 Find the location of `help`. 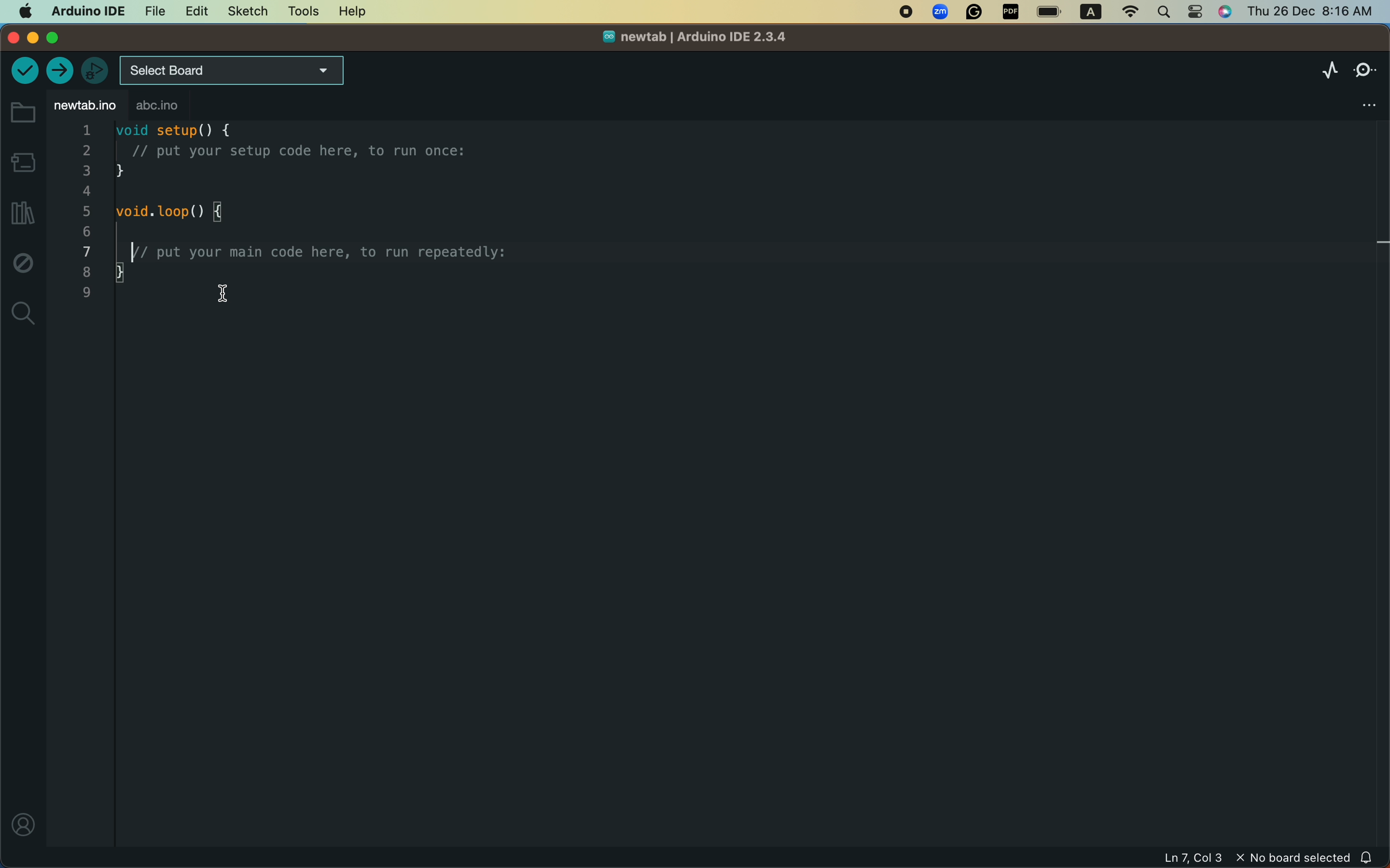

help is located at coordinates (349, 12).